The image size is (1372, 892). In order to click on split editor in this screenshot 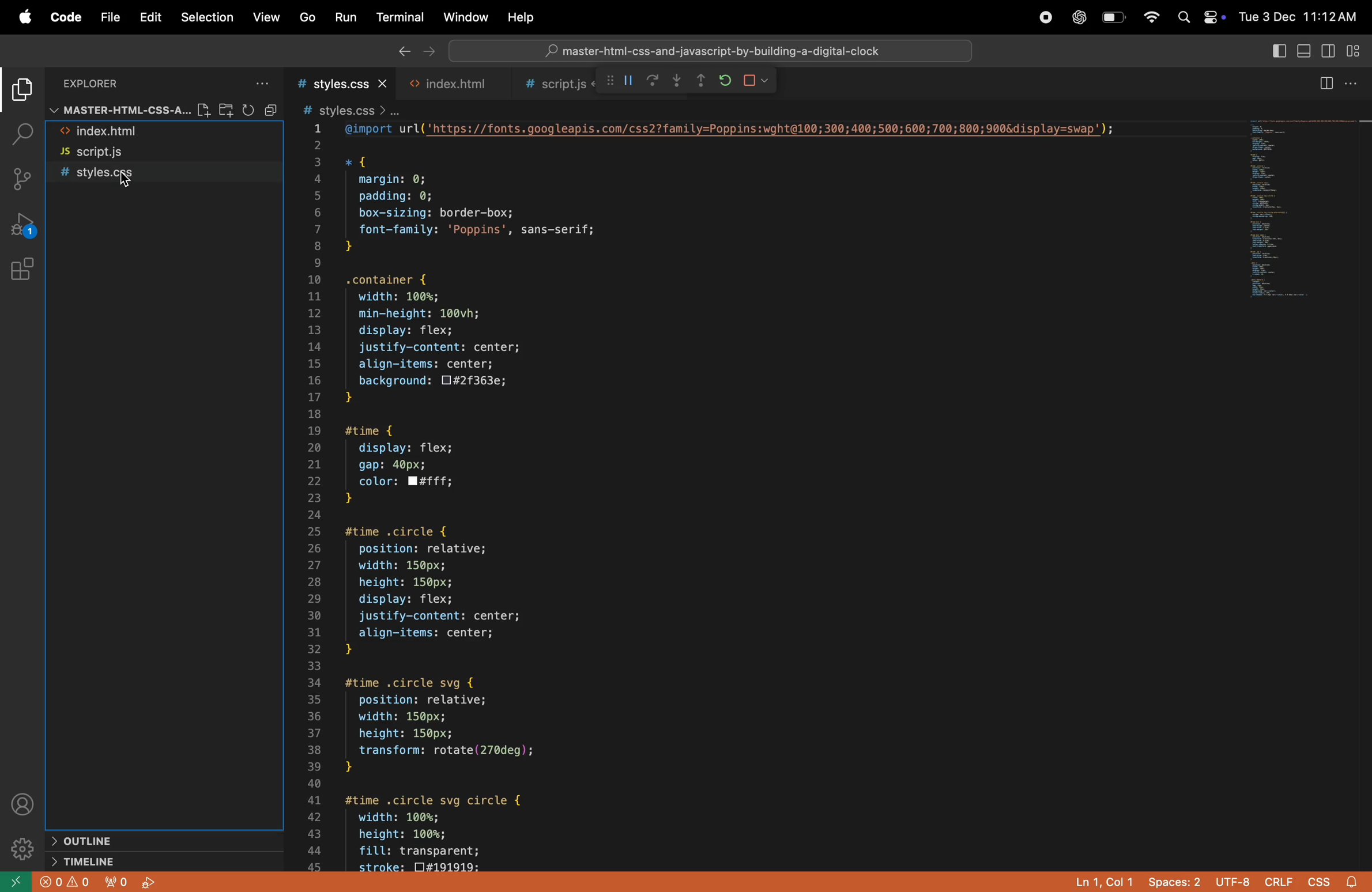, I will do `click(1338, 83)`.